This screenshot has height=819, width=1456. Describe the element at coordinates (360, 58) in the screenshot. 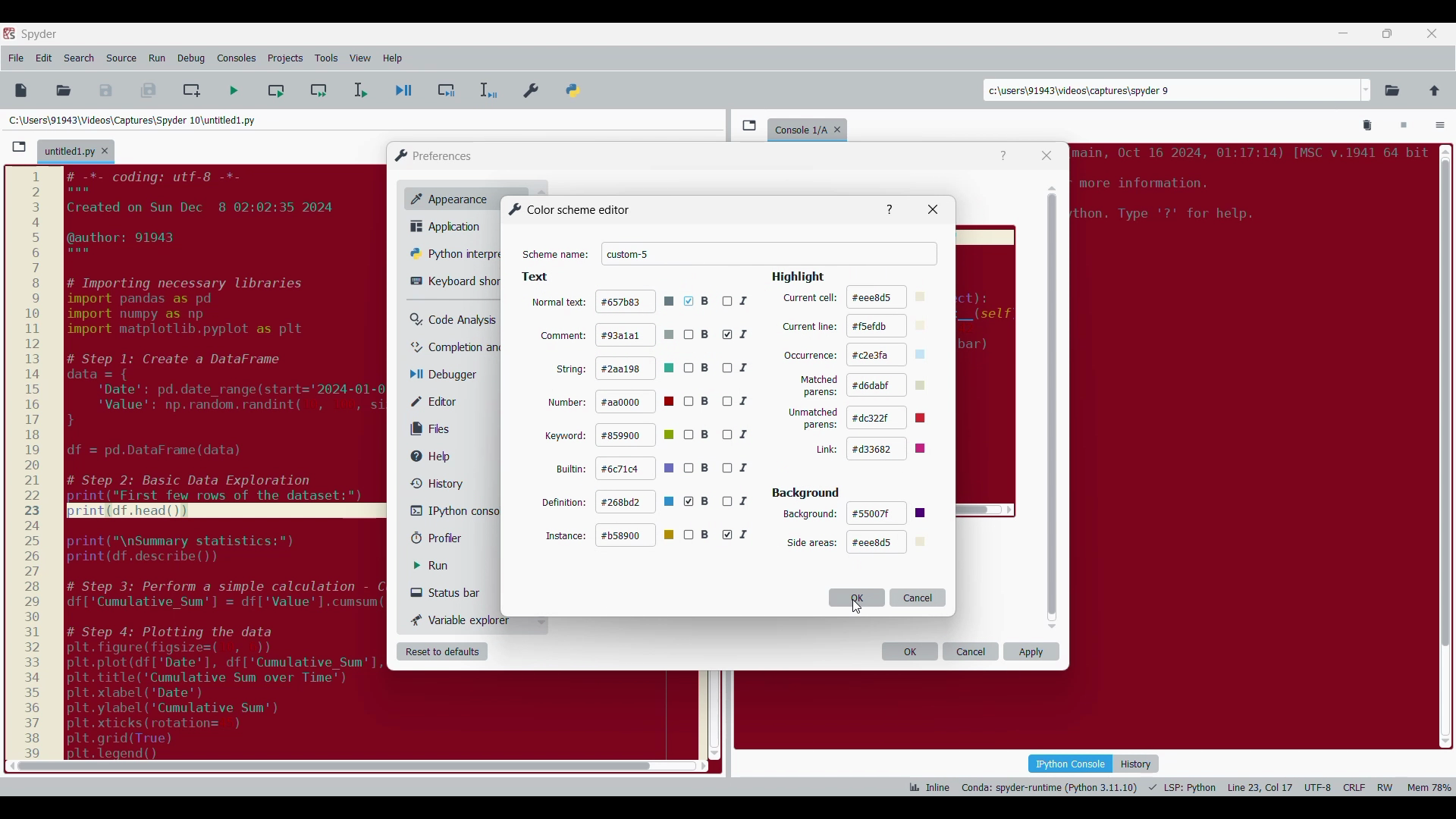

I see `View menu` at that location.